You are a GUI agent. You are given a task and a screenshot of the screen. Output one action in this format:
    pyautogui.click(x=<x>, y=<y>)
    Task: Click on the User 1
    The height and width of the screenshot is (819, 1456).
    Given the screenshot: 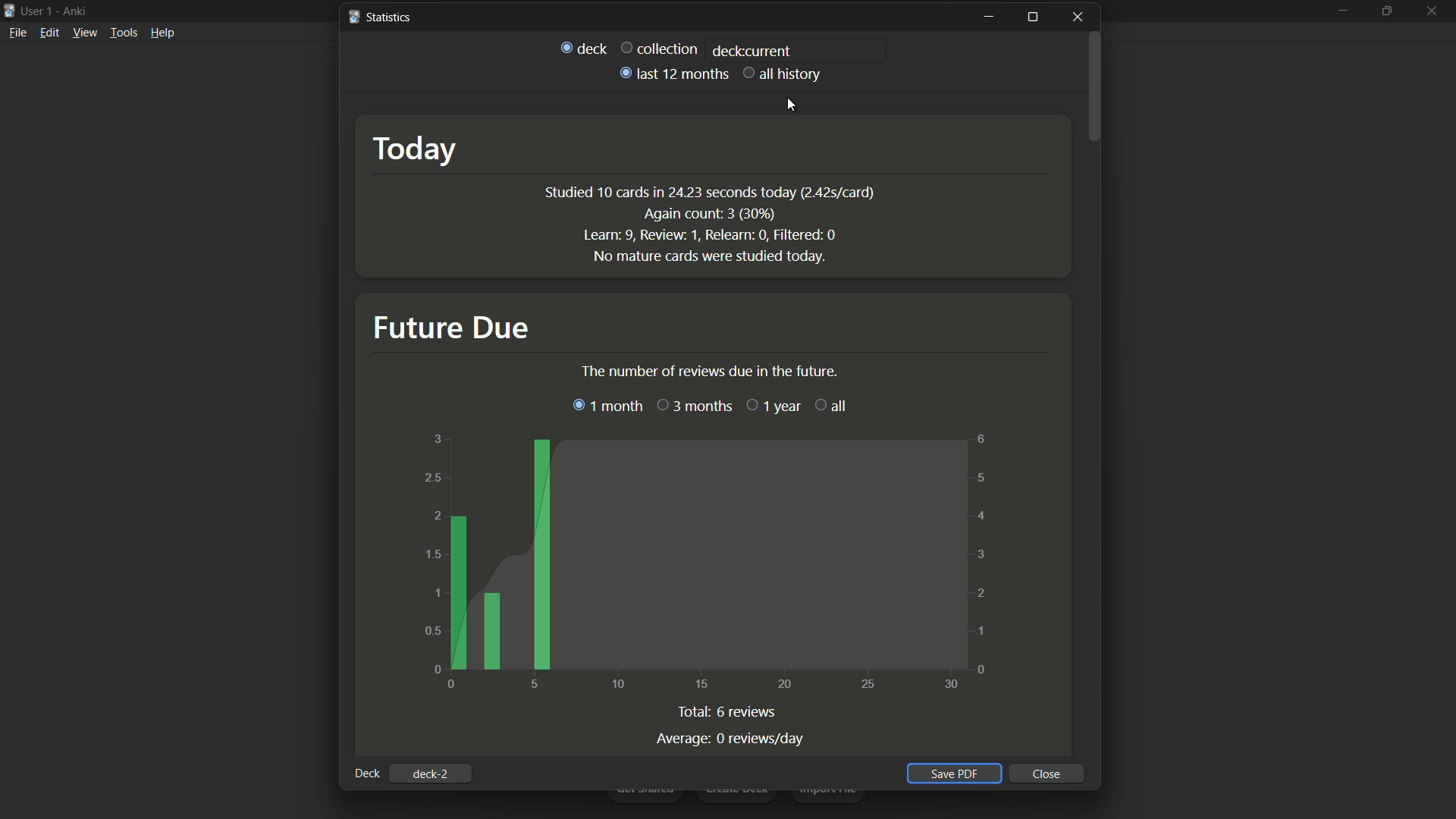 What is the action you would take?
    pyautogui.click(x=38, y=10)
    